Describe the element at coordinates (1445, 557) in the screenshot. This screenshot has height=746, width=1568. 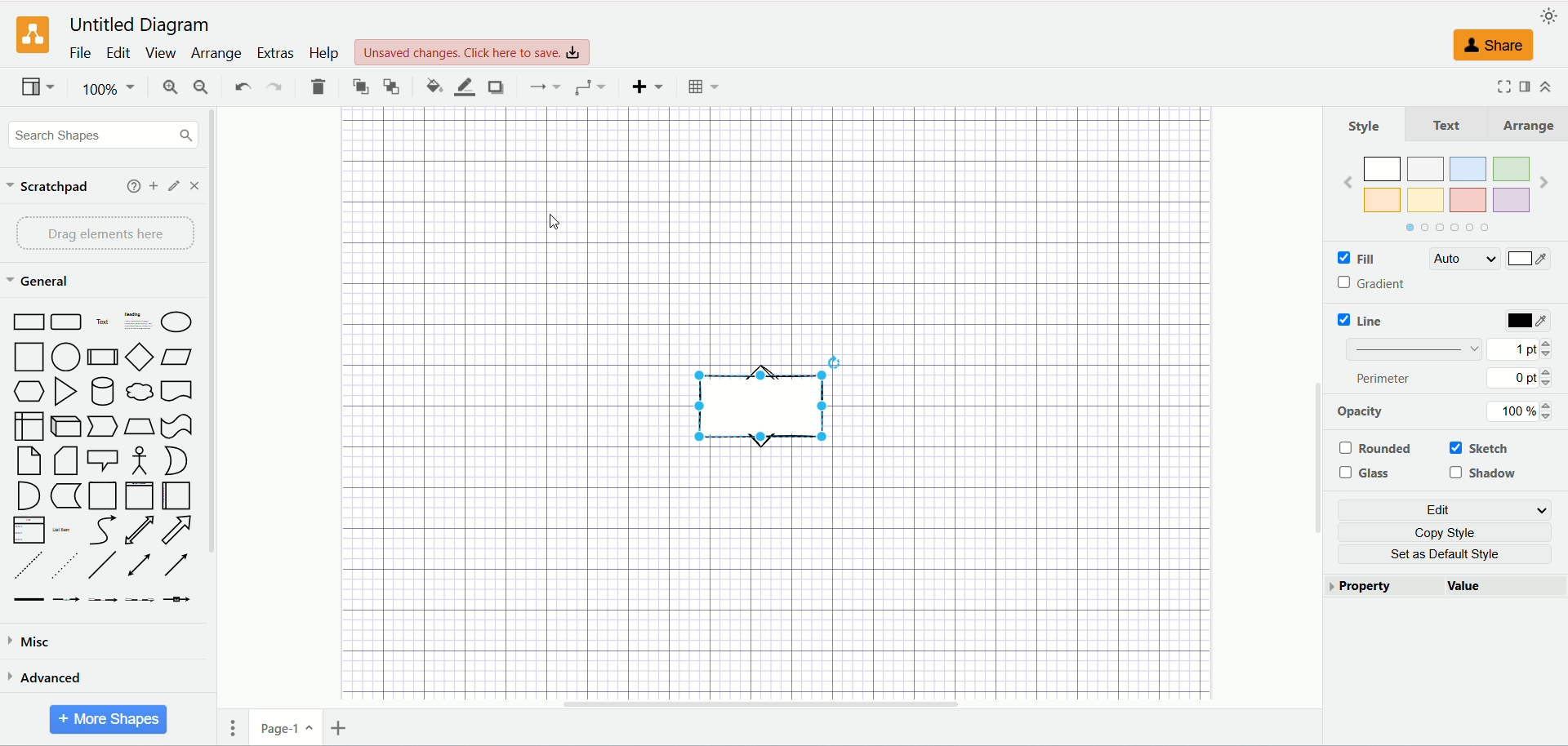
I see `set as default` at that location.